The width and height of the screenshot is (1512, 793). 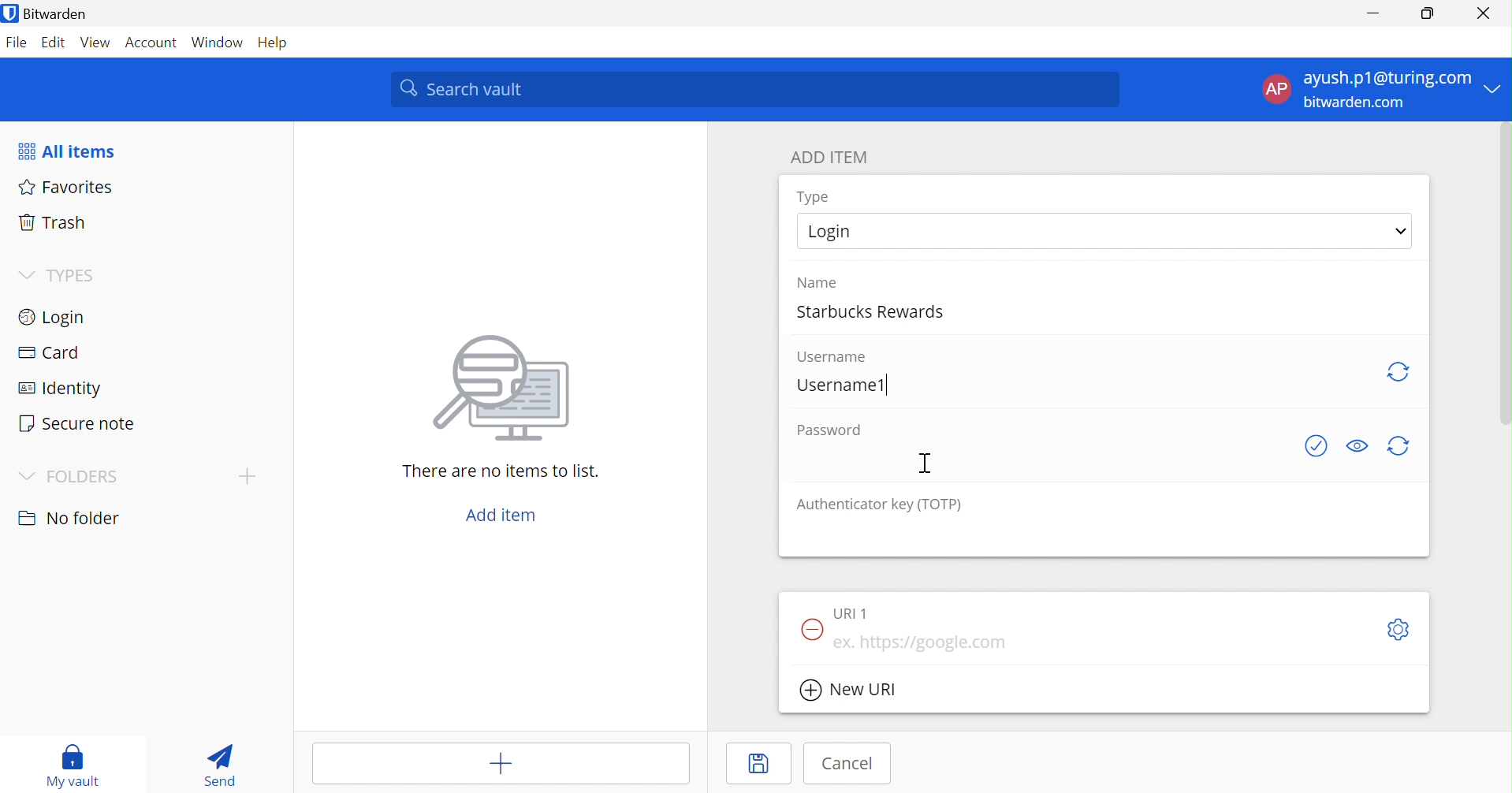 What do you see at coordinates (809, 631) in the screenshot?
I see `Remove` at bounding box center [809, 631].